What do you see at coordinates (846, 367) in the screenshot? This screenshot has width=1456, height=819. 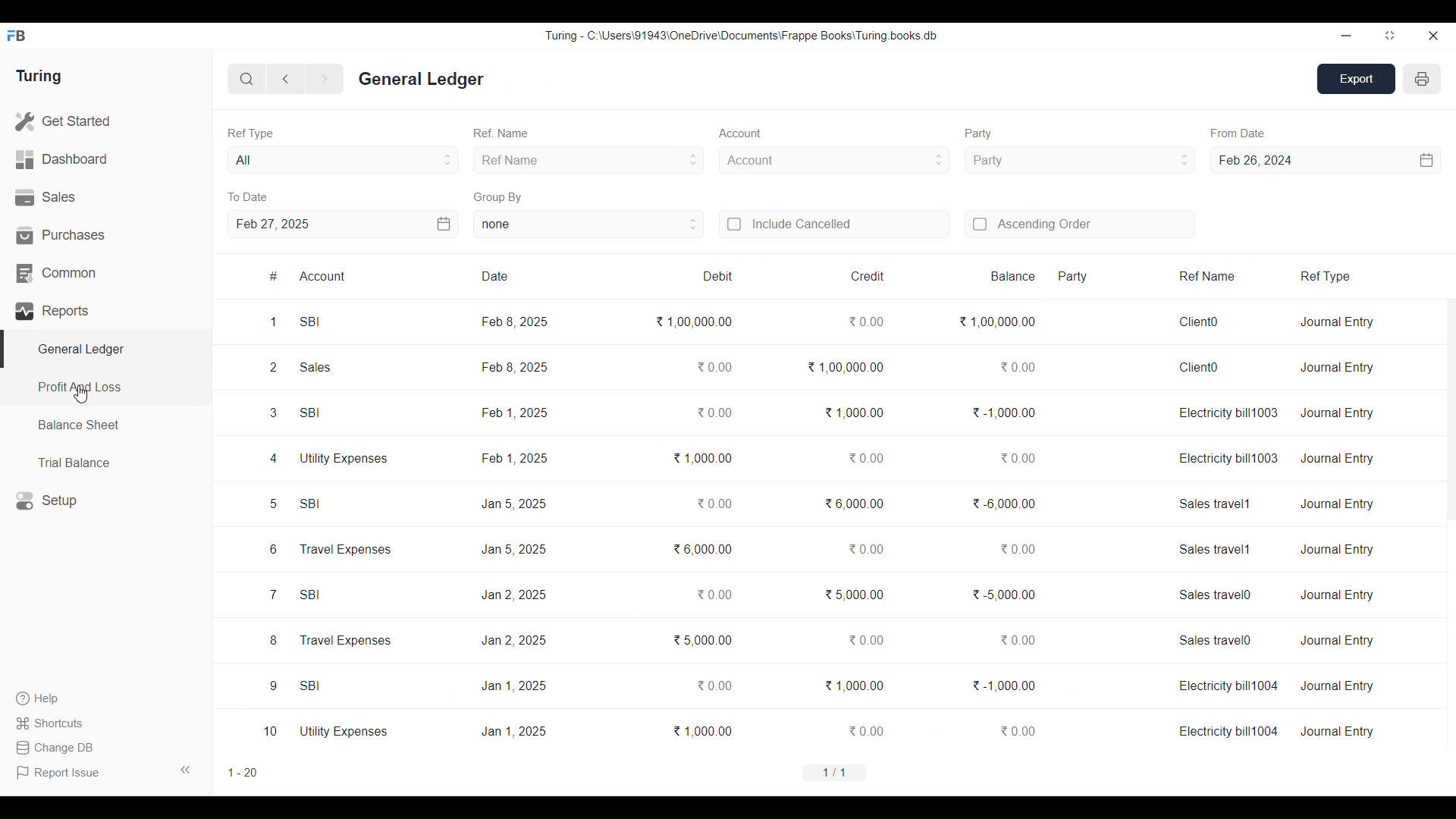 I see `1,00,000.00` at bounding box center [846, 367].